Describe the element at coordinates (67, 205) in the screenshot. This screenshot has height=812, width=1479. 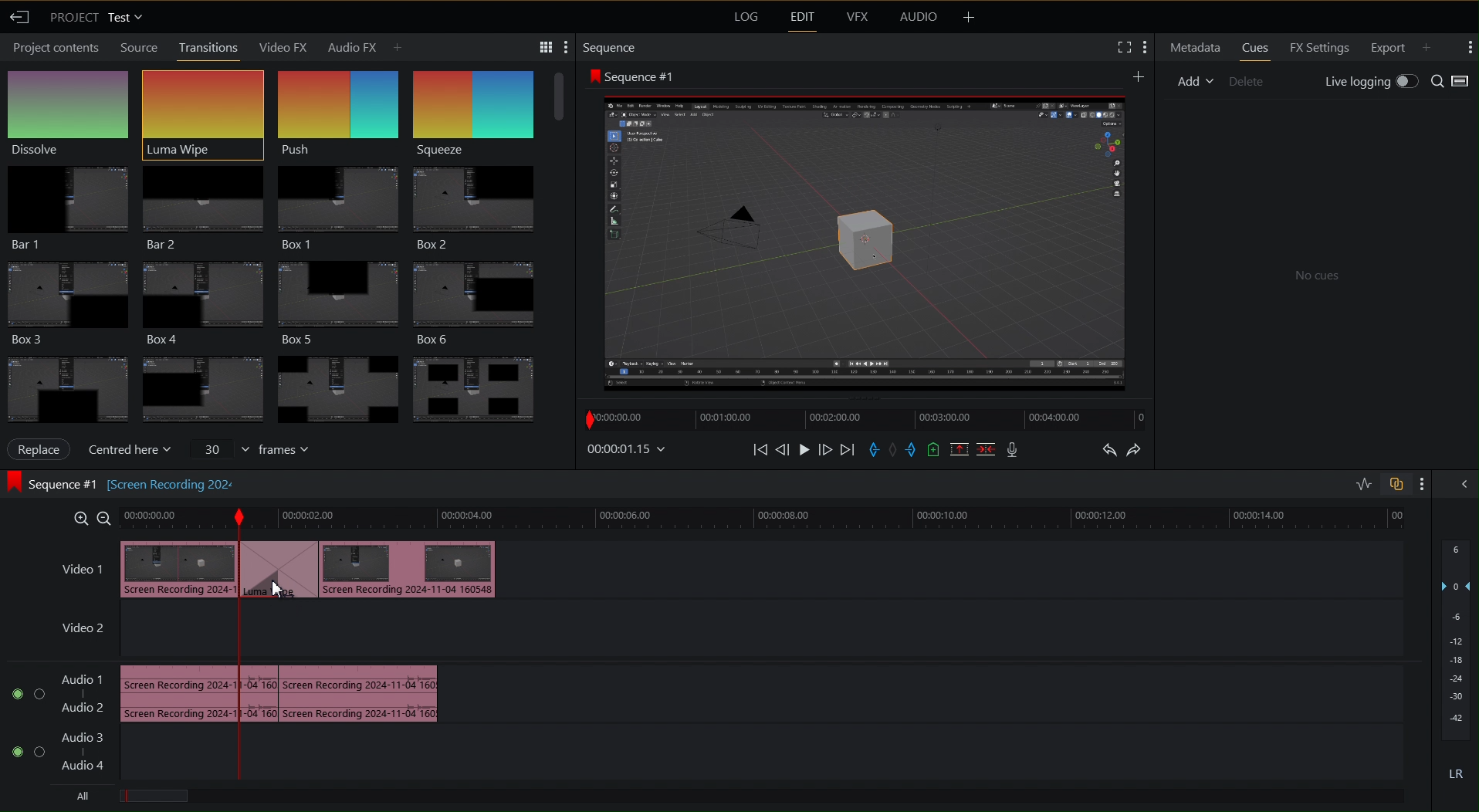
I see `Bar 1` at that location.